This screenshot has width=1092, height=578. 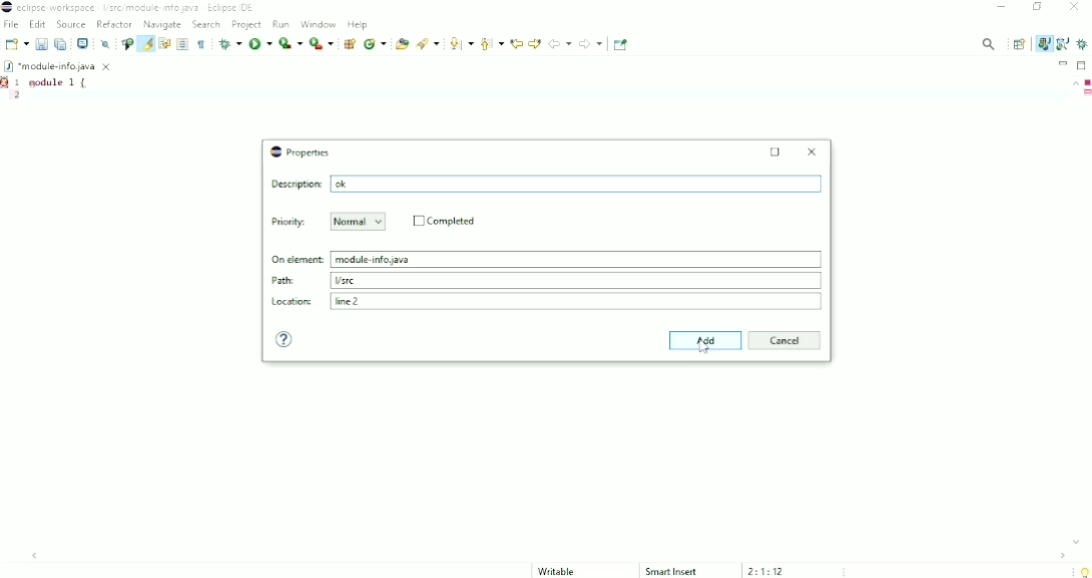 I want to click on Next edit location, so click(x=535, y=42).